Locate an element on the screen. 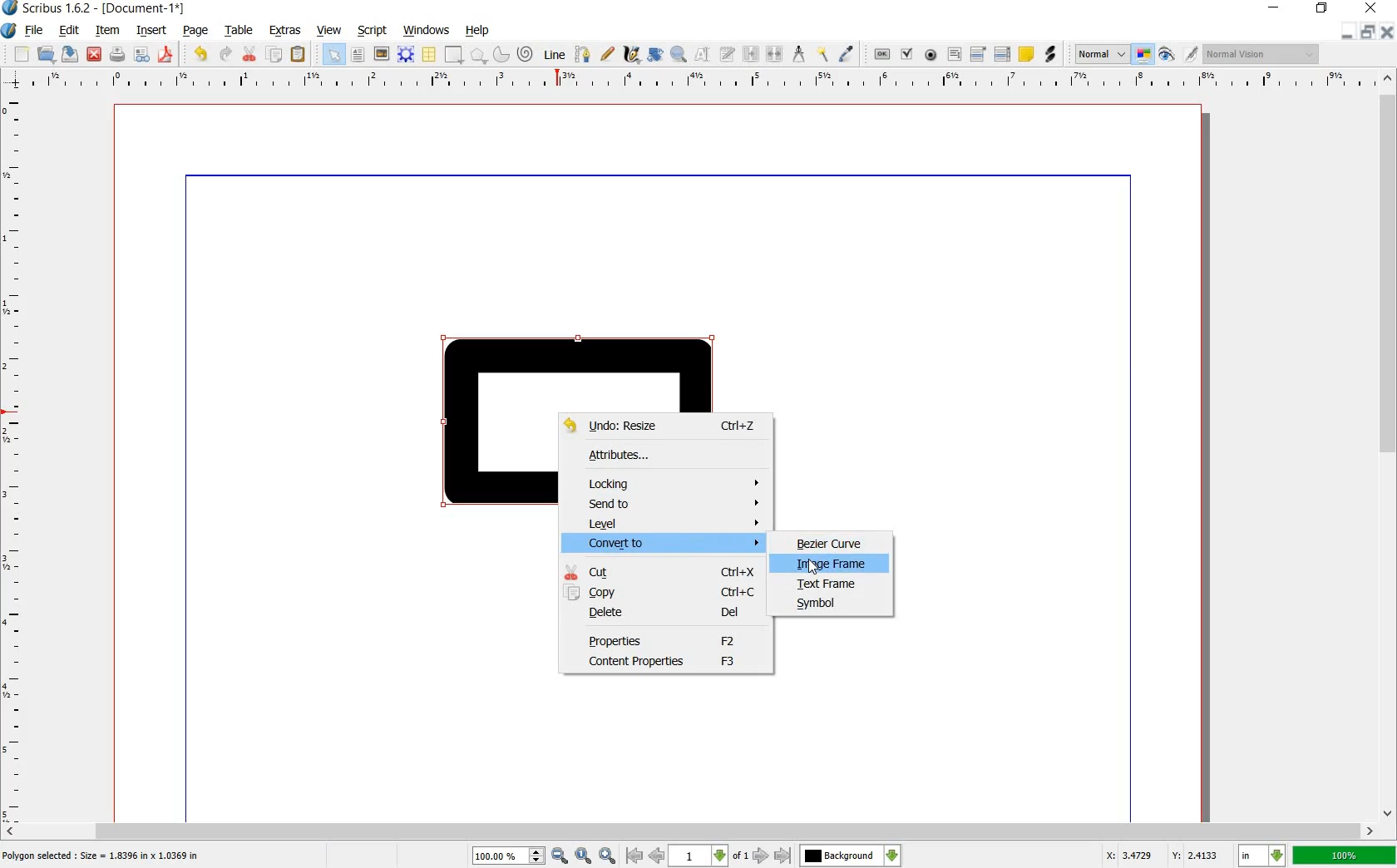  freehand line is located at coordinates (608, 55).